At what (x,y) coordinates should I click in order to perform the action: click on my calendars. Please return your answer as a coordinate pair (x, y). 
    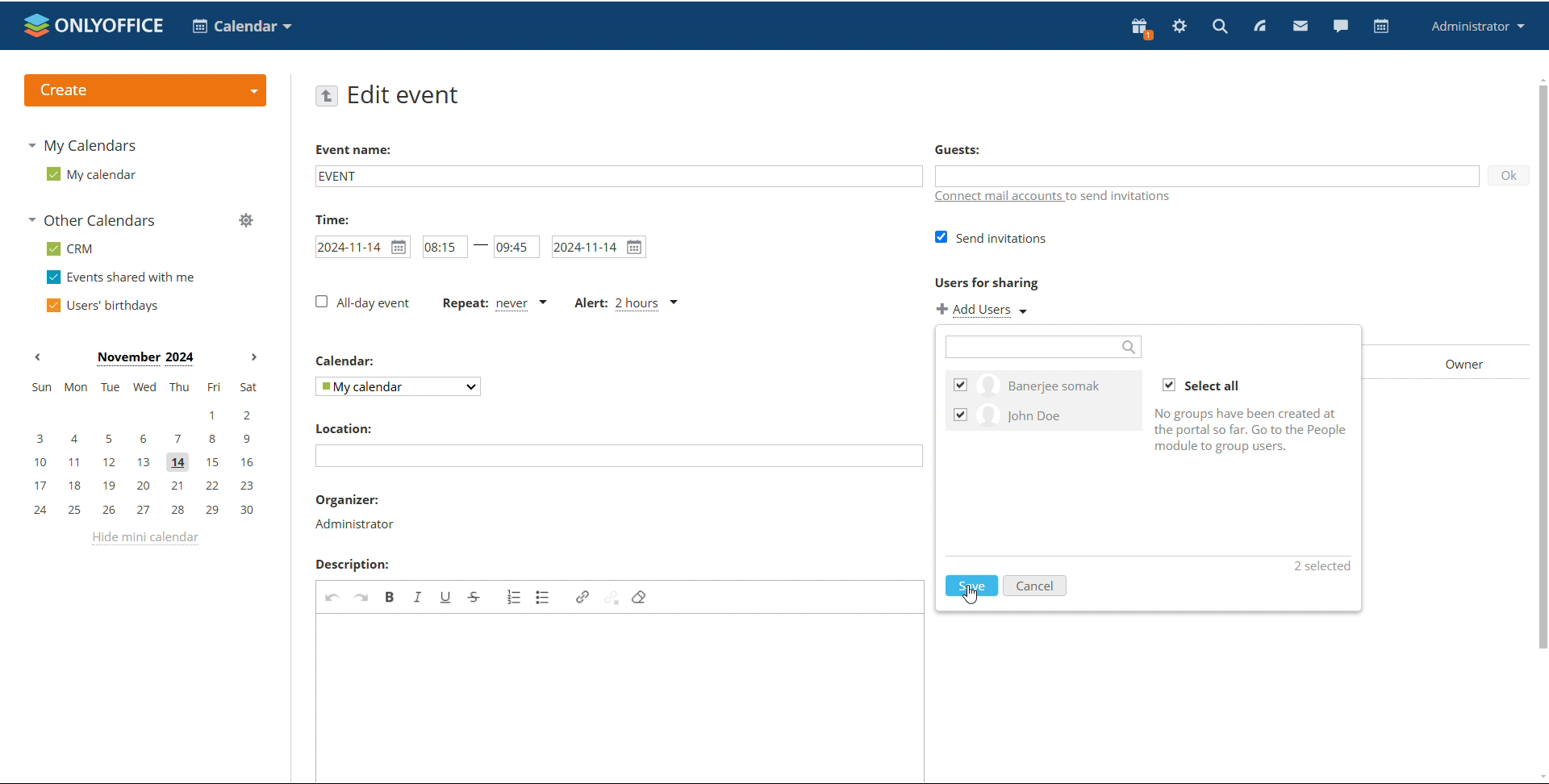
    Looking at the image, I should click on (81, 147).